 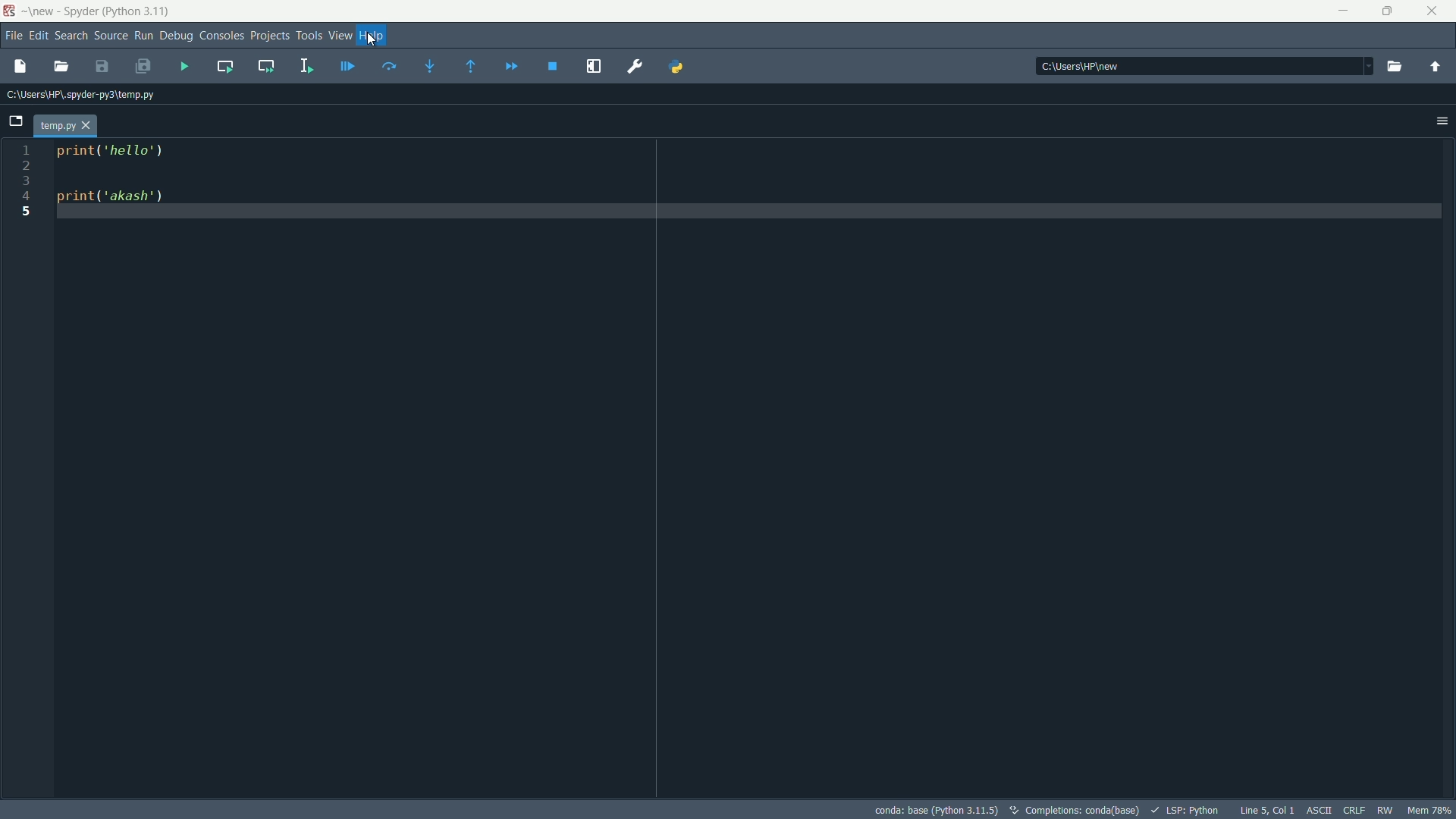 What do you see at coordinates (345, 66) in the screenshot?
I see `debug file` at bounding box center [345, 66].